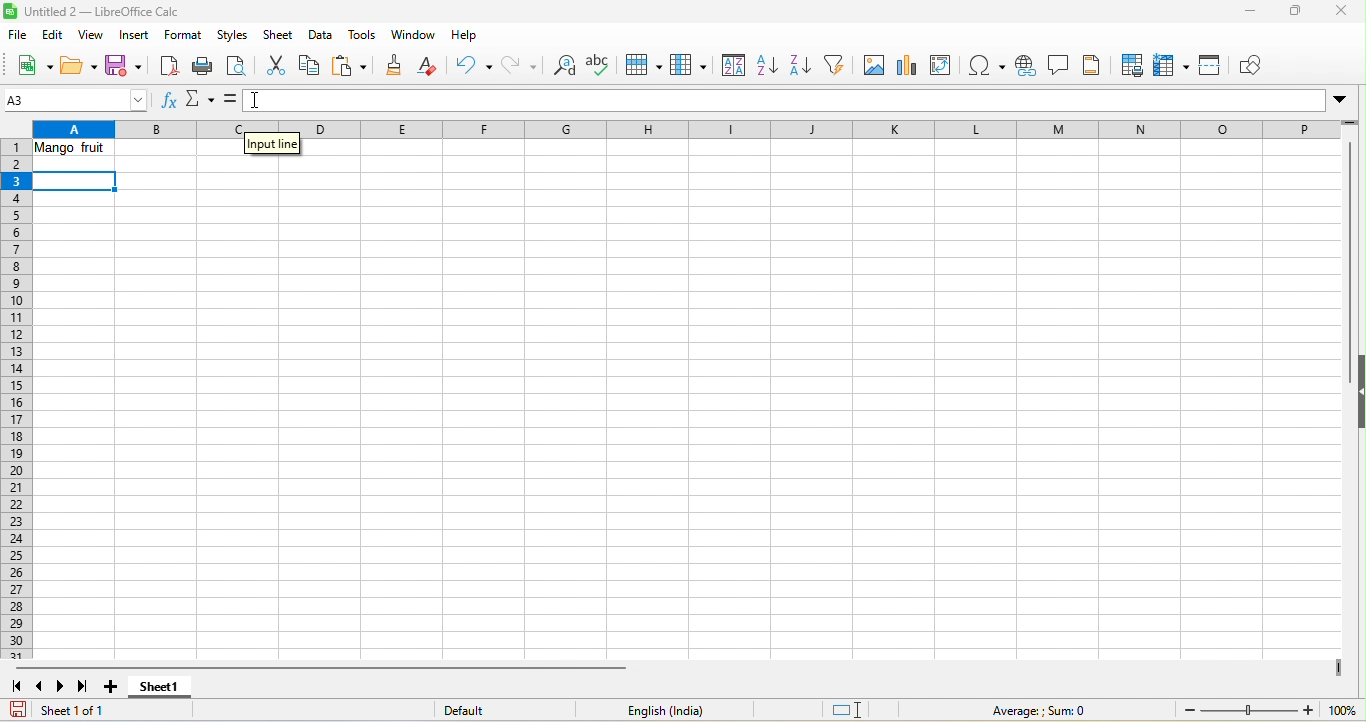 Image resolution: width=1366 pixels, height=722 pixels. What do you see at coordinates (276, 64) in the screenshot?
I see `cut` at bounding box center [276, 64].